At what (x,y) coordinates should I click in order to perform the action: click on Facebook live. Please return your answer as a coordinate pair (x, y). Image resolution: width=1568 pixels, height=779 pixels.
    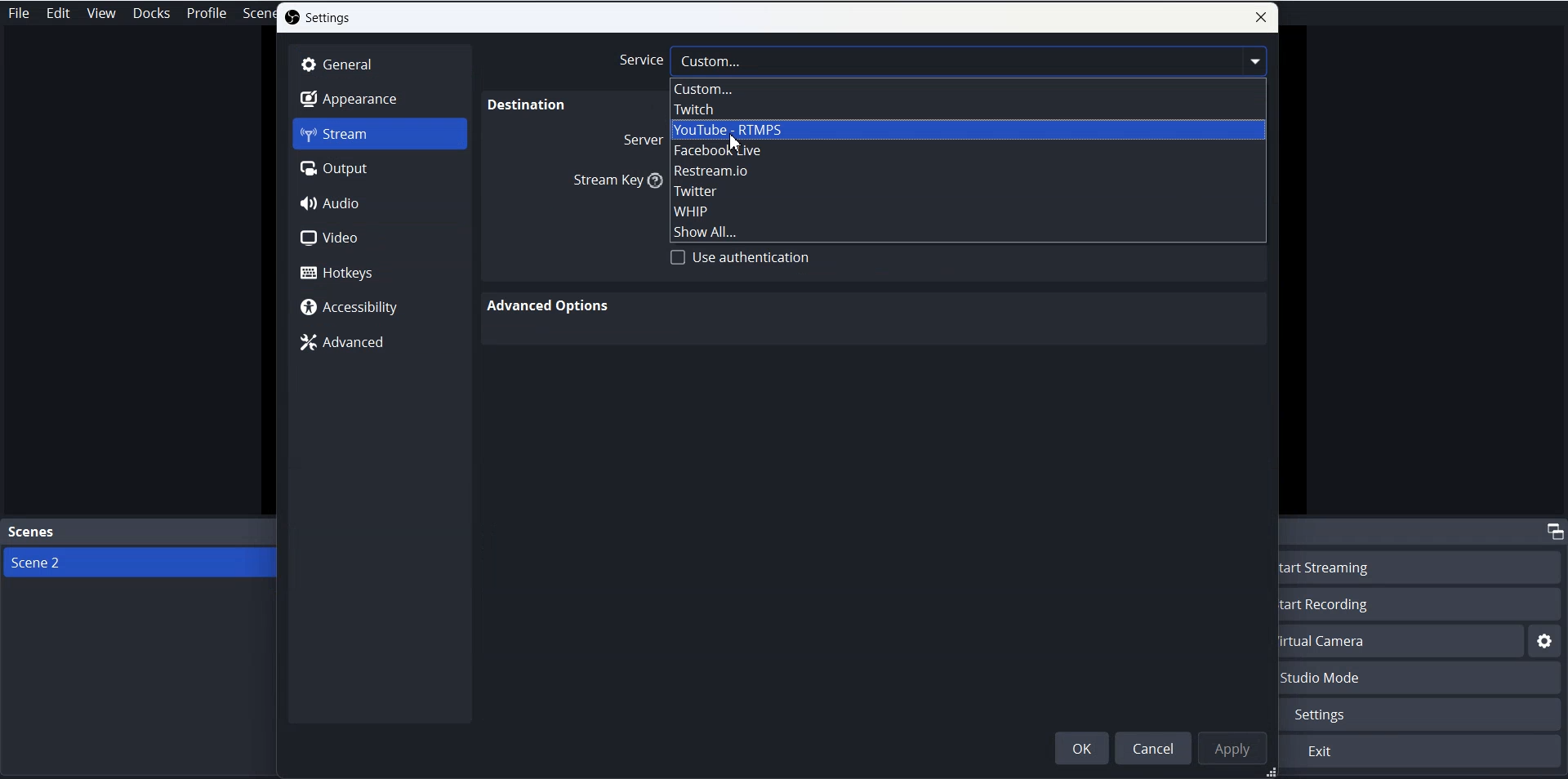
    Looking at the image, I should click on (965, 150).